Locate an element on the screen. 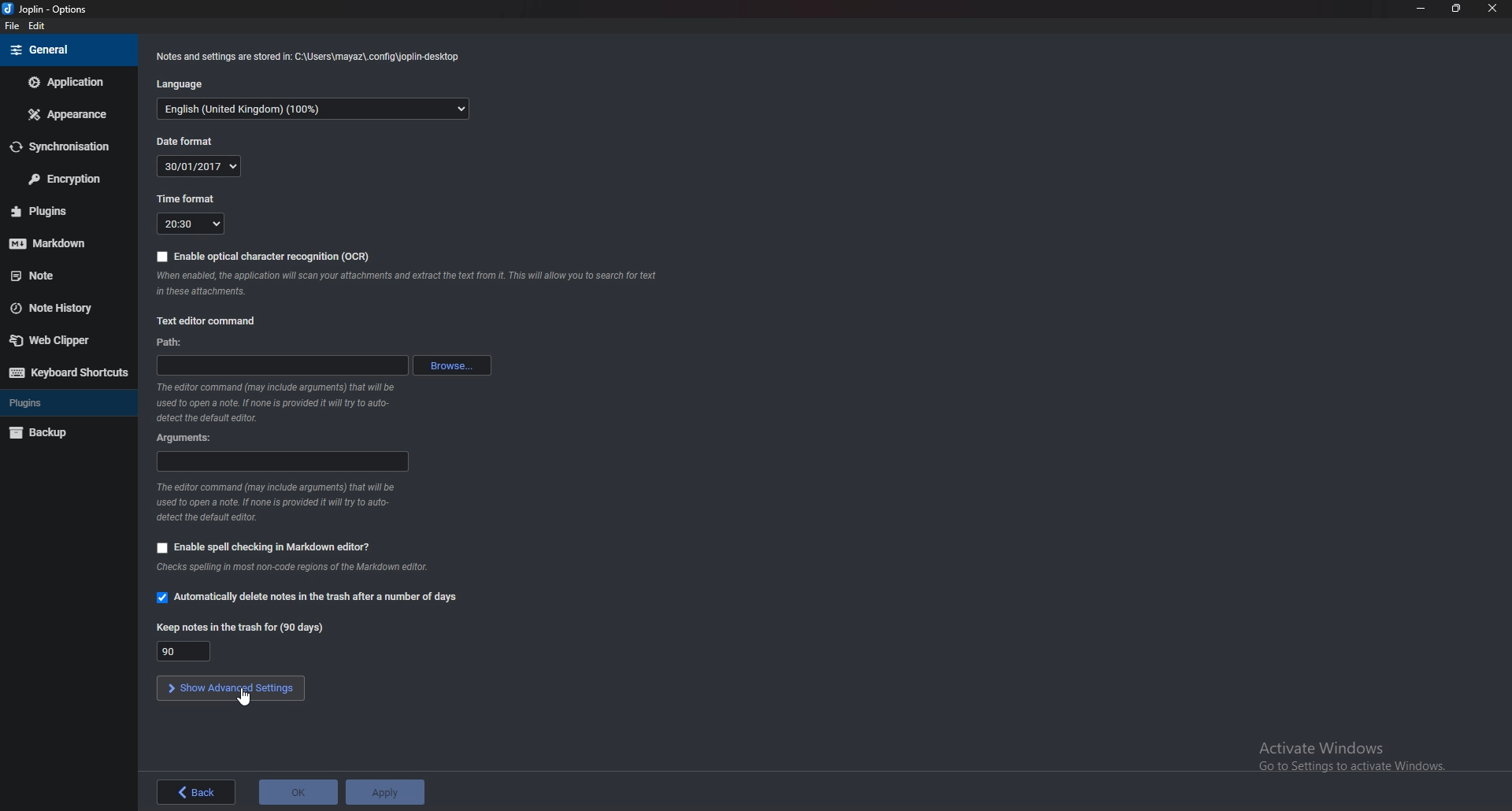  90 days is located at coordinates (183, 650).